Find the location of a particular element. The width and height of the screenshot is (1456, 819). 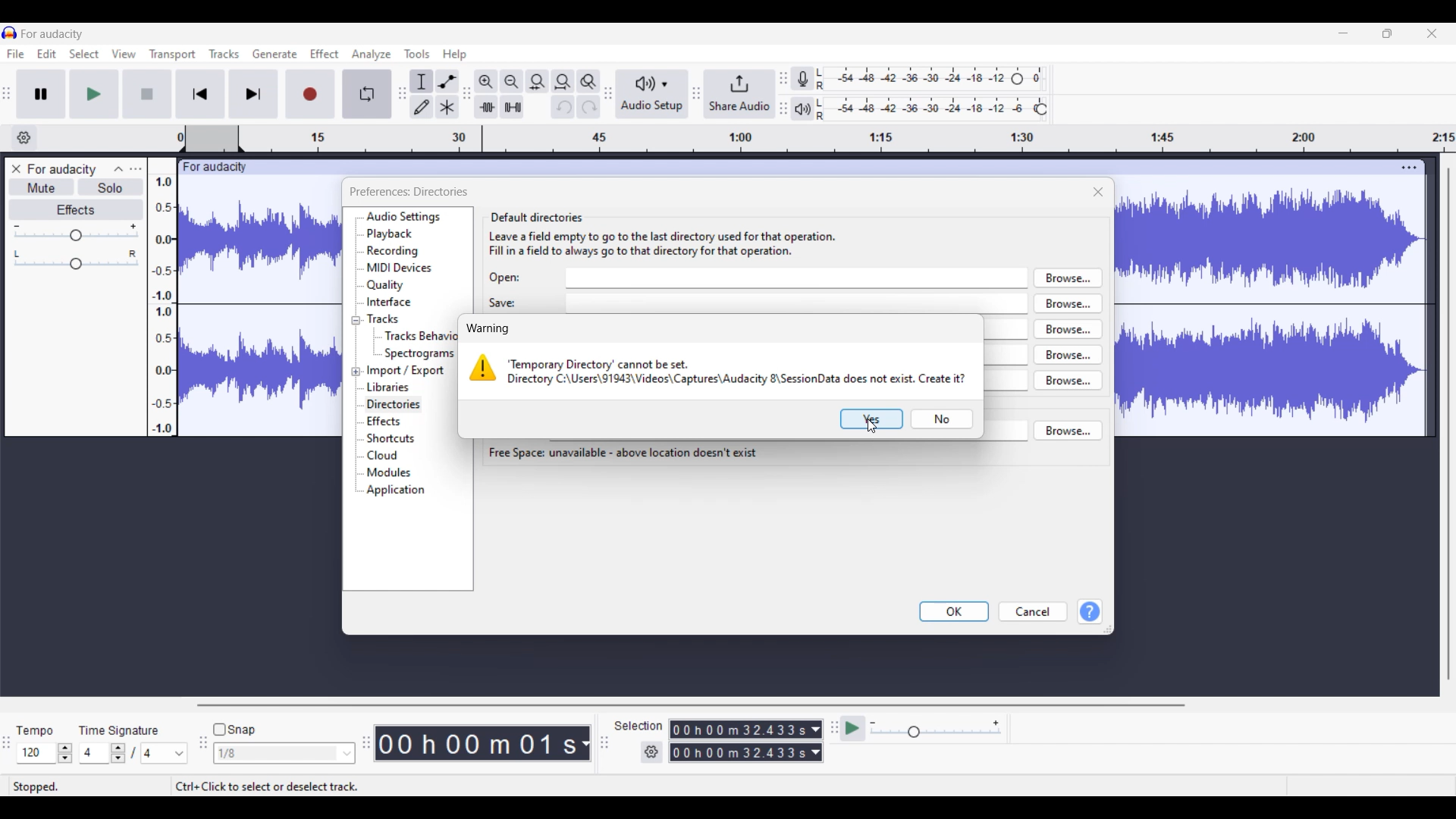

browse is located at coordinates (1068, 429).